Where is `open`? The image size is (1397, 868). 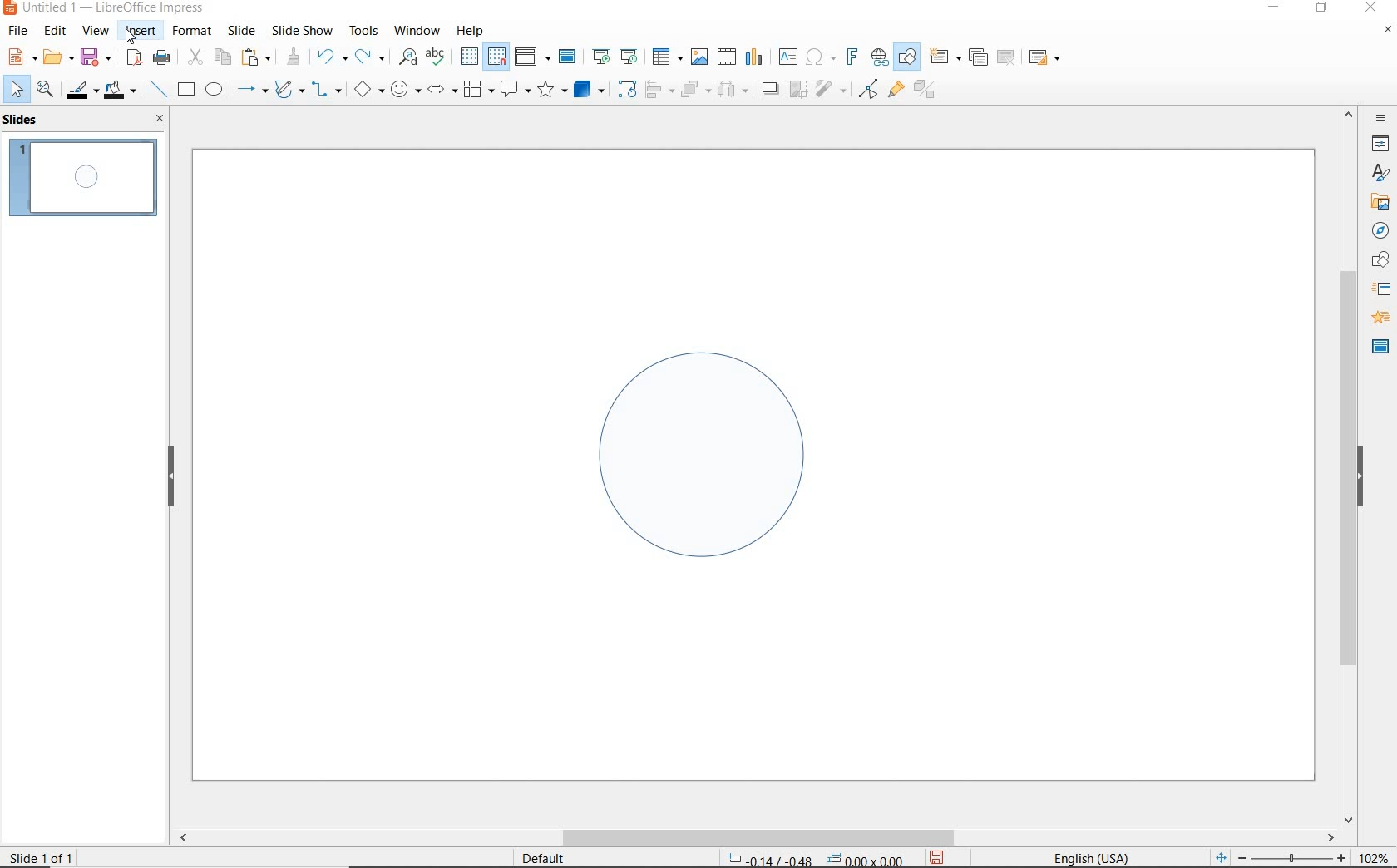
open is located at coordinates (56, 57).